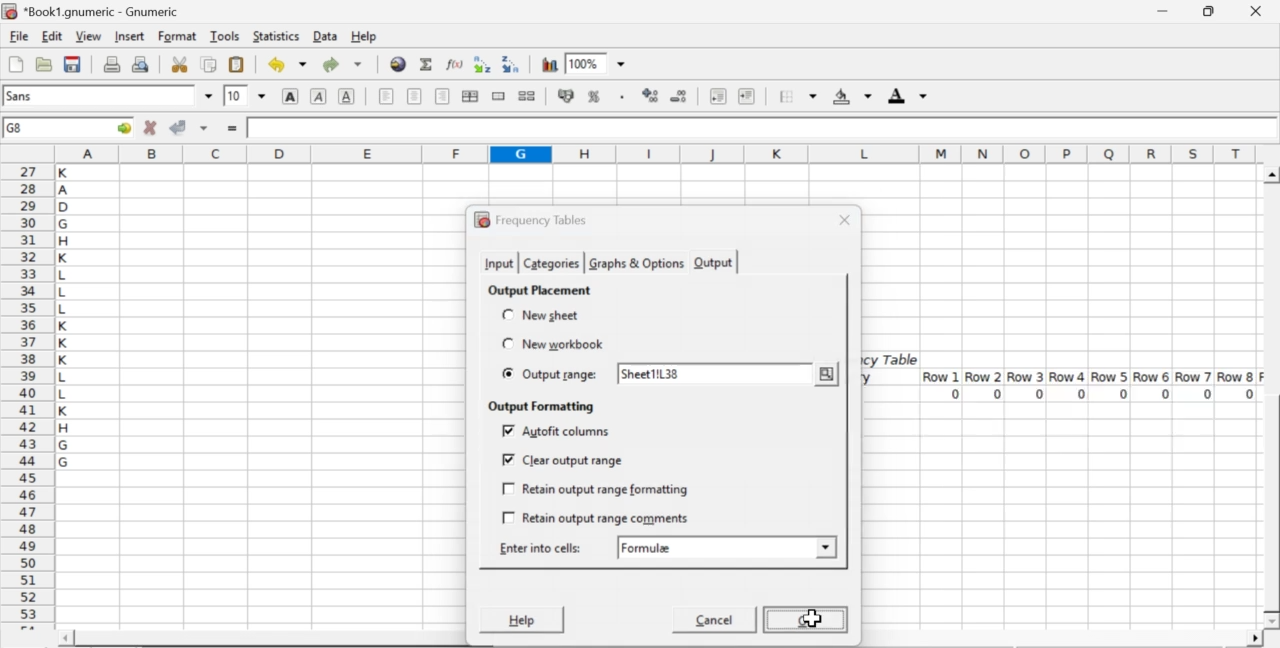 The width and height of the screenshot is (1280, 648). Describe the element at coordinates (842, 221) in the screenshot. I see `close` at that location.